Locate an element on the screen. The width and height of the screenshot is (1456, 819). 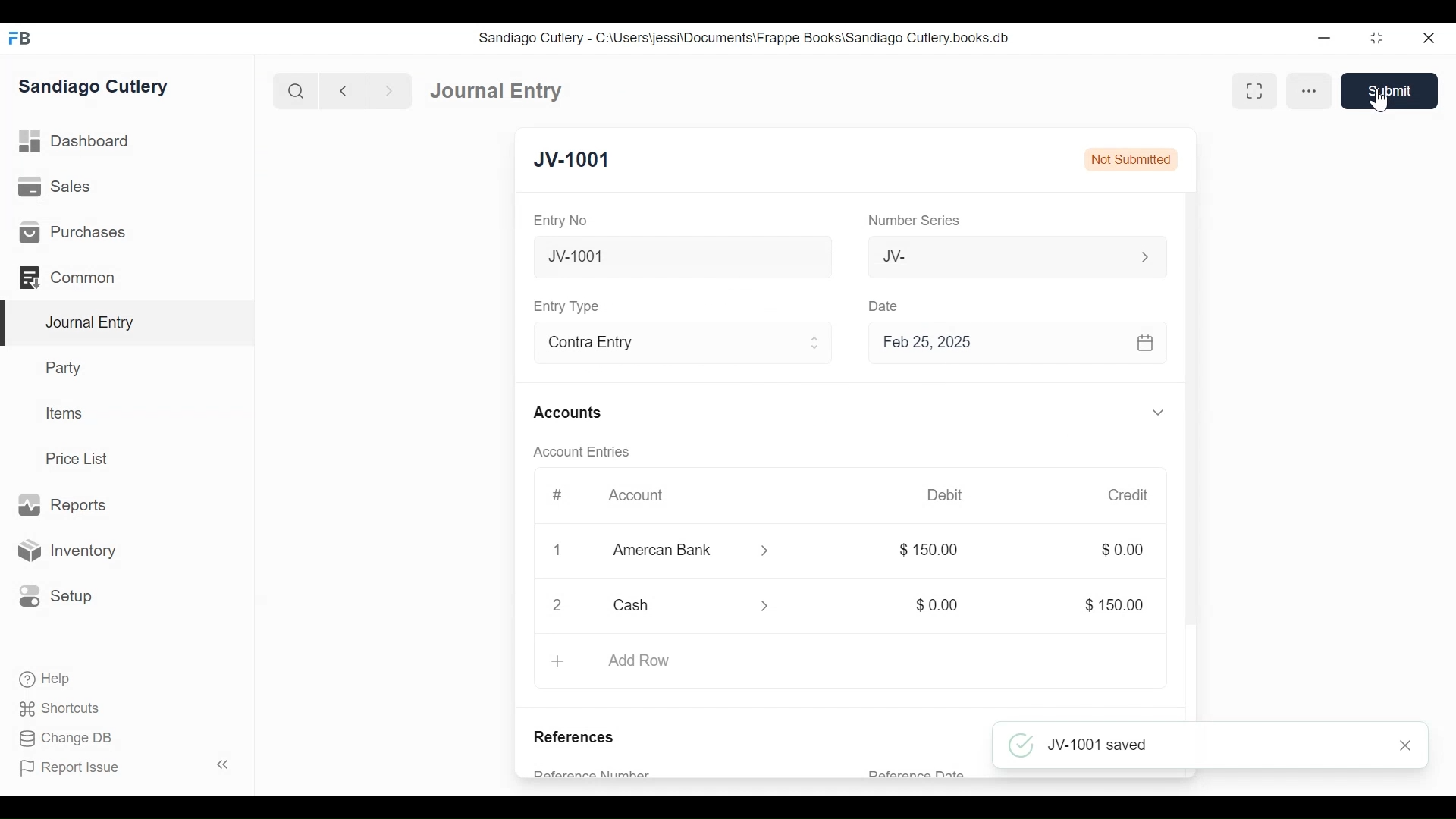
Close is located at coordinates (1431, 37).